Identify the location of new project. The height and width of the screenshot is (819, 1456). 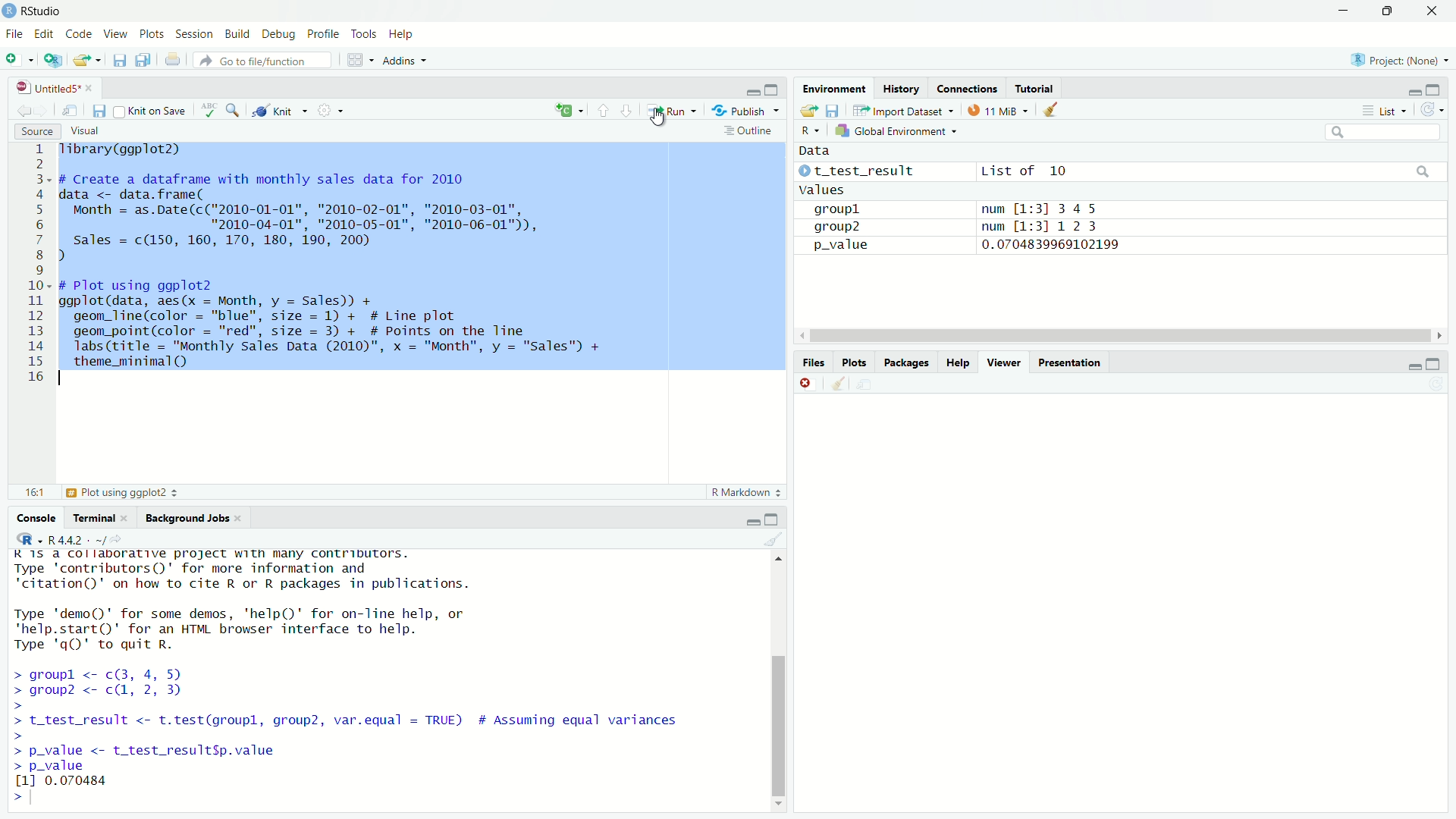
(52, 60).